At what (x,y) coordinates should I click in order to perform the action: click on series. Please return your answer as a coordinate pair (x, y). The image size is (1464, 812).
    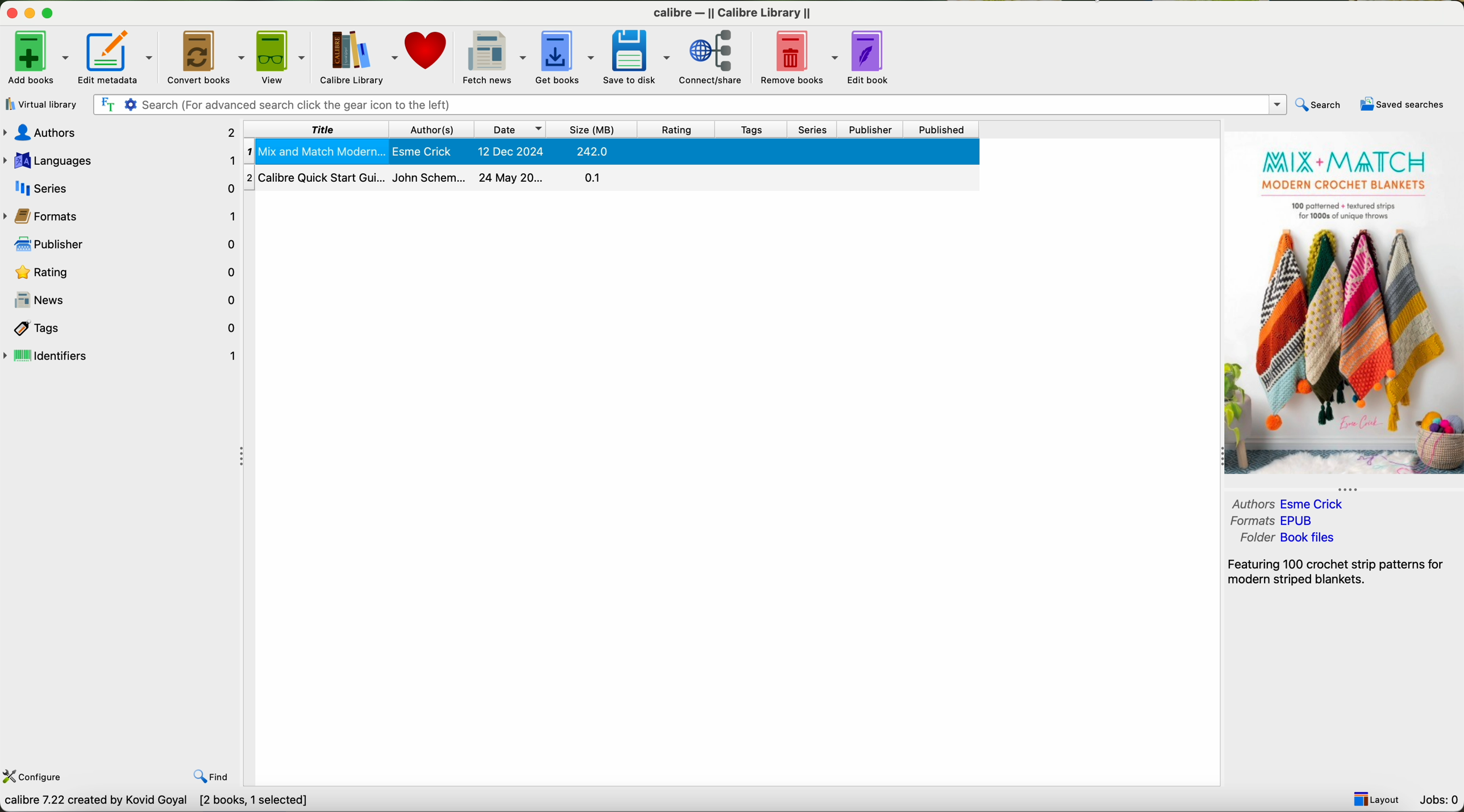
    Looking at the image, I should click on (813, 130).